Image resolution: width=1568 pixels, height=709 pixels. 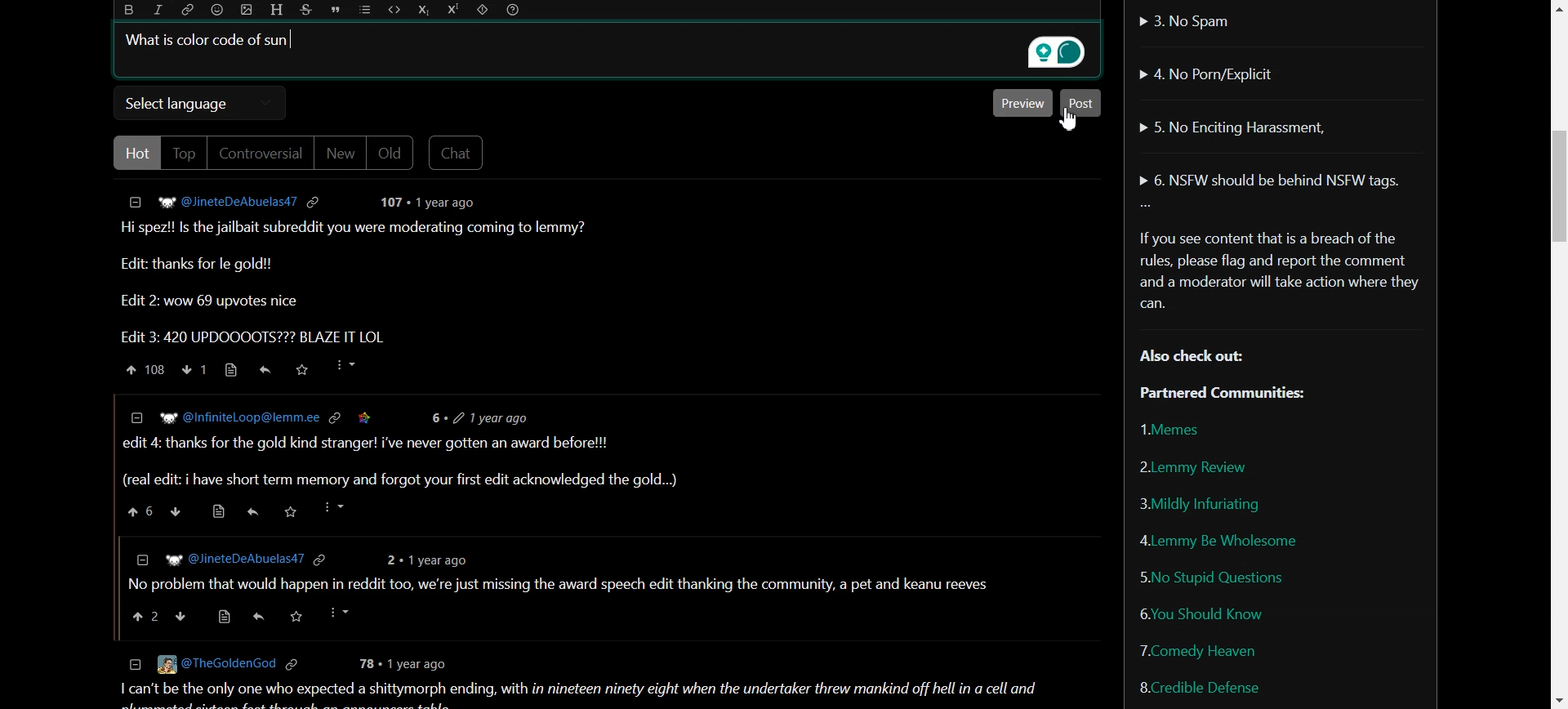 I want to click on 2 + 1year ago, so click(x=431, y=560).